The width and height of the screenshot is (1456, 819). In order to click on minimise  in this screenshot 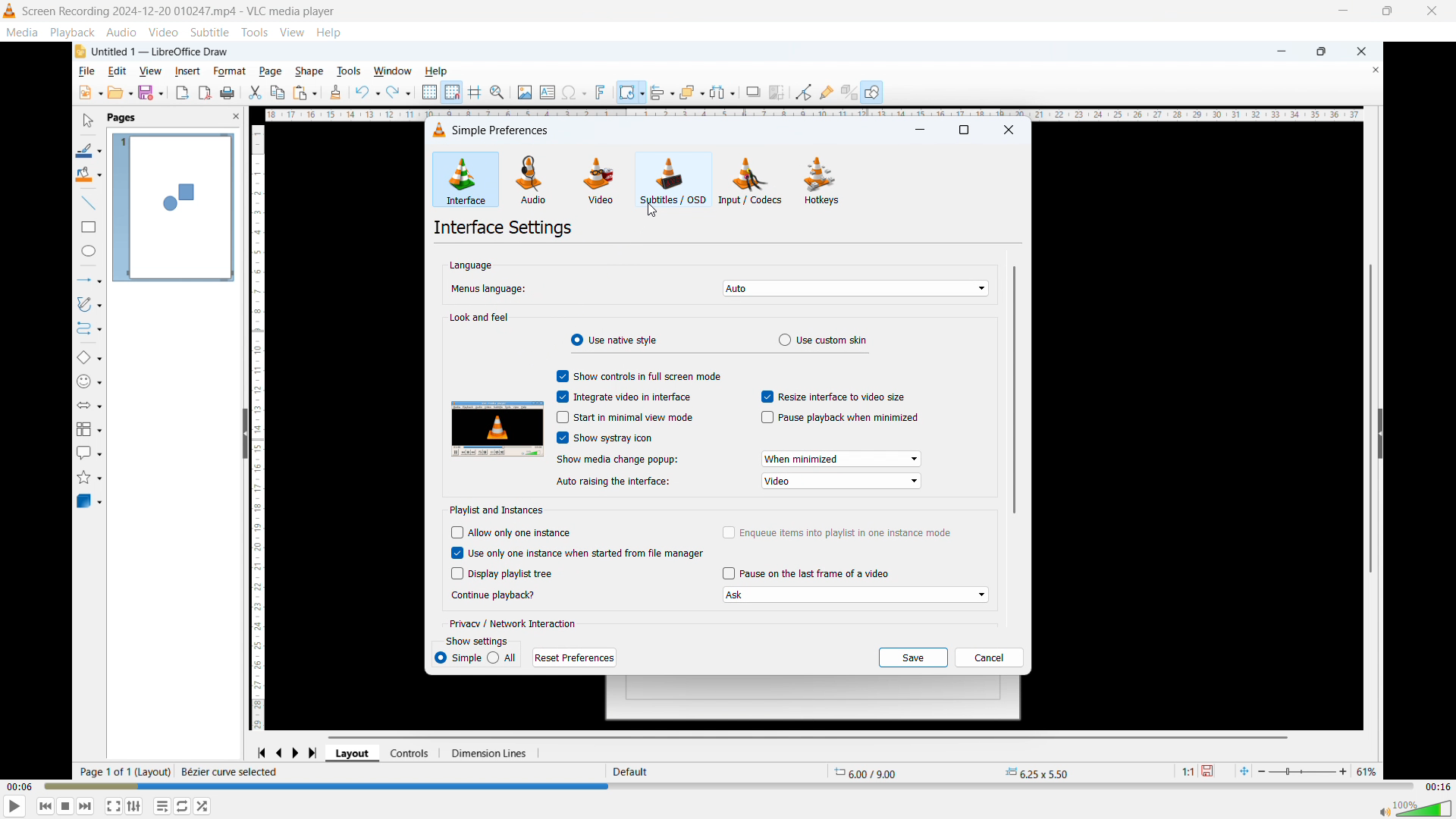, I will do `click(920, 132)`.